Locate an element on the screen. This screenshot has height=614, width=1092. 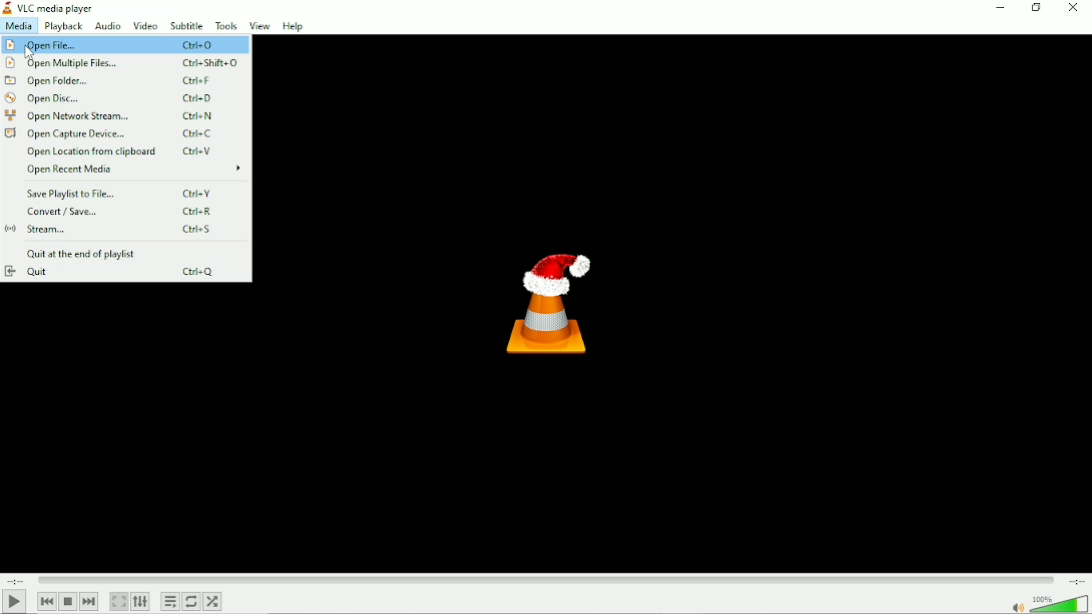
Quit at the end of playlist is located at coordinates (81, 254).